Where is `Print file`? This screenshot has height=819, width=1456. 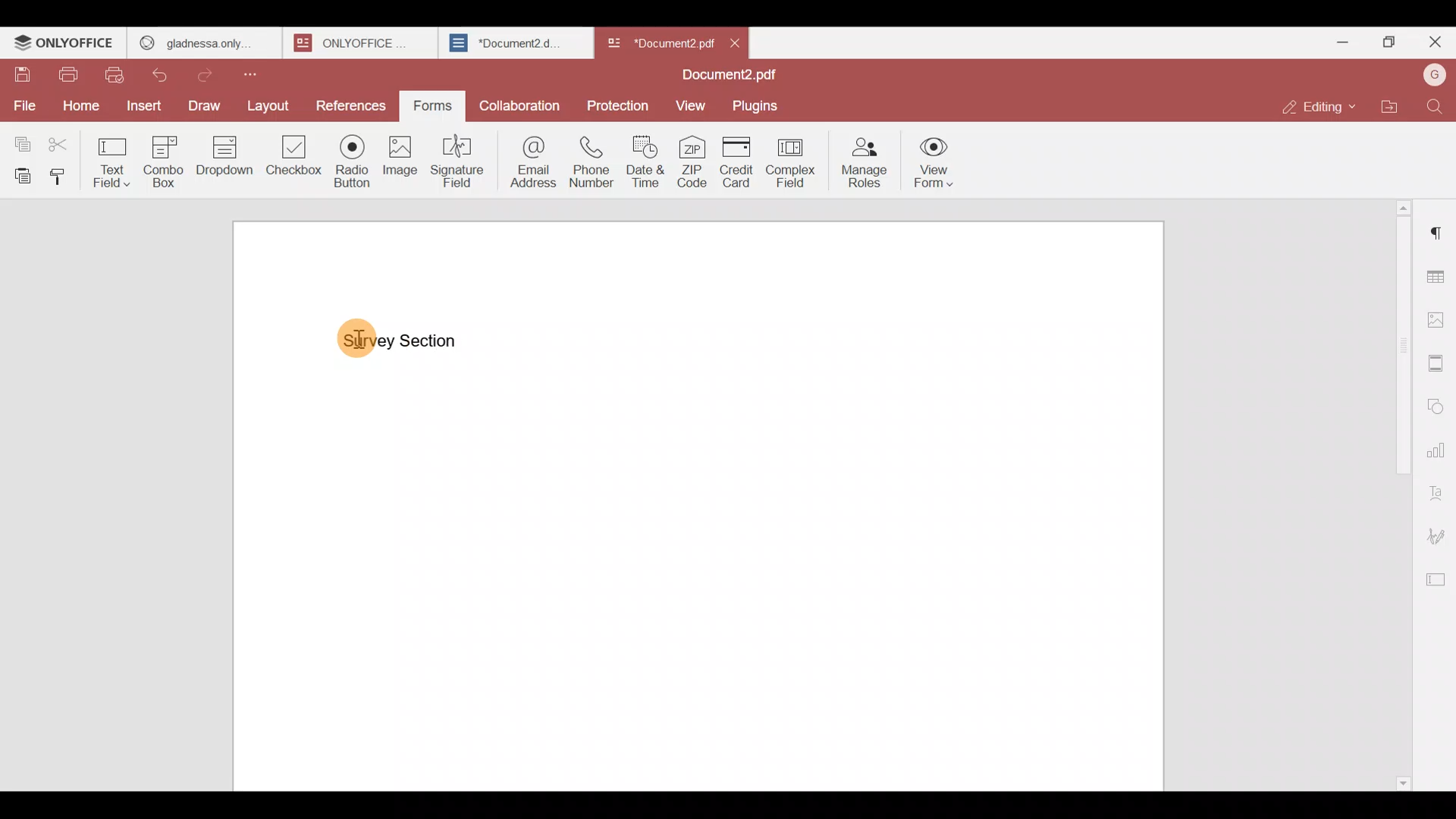 Print file is located at coordinates (63, 71).